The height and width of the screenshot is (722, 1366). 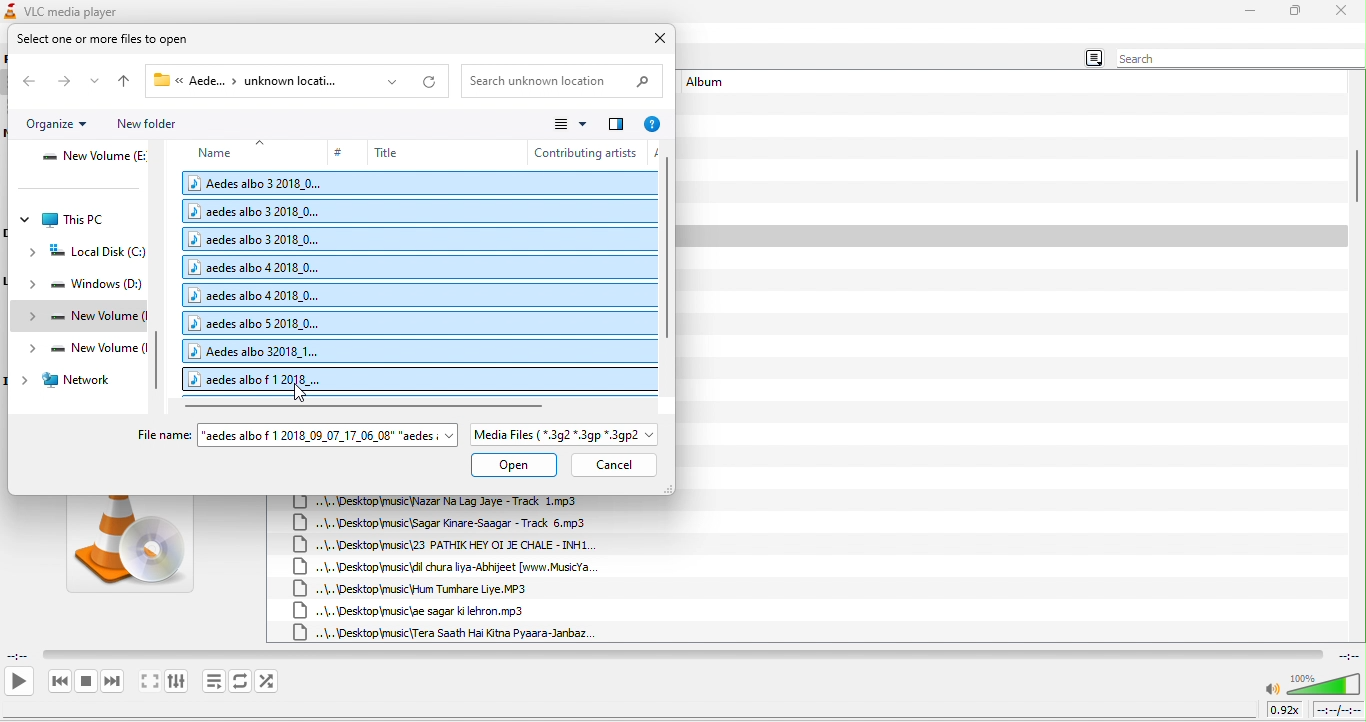 What do you see at coordinates (10, 11) in the screenshot?
I see `icon` at bounding box center [10, 11].